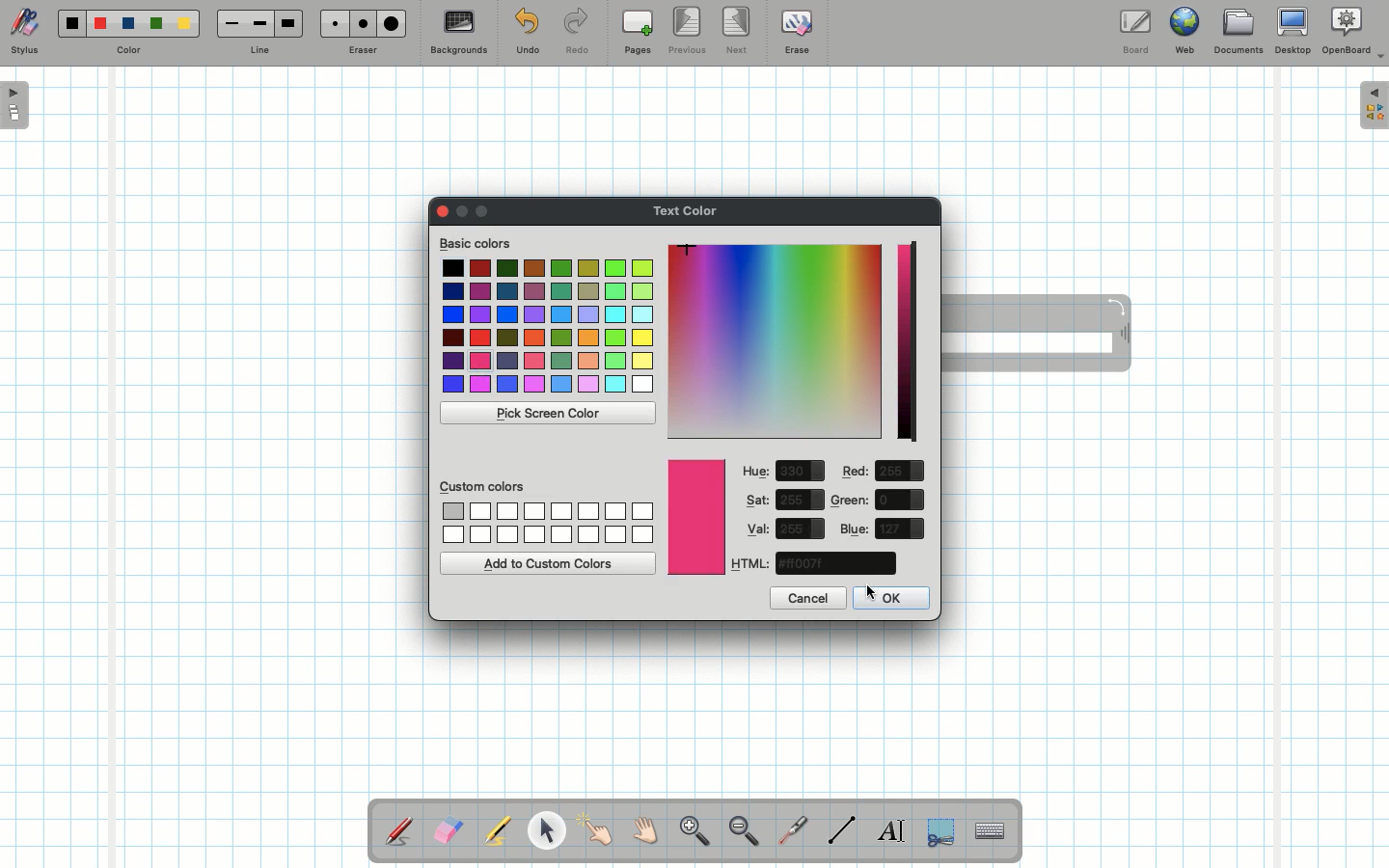 The width and height of the screenshot is (1389, 868). What do you see at coordinates (437, 210) in the screenshot?
I see `Clor` at bounding box center [437, 210].